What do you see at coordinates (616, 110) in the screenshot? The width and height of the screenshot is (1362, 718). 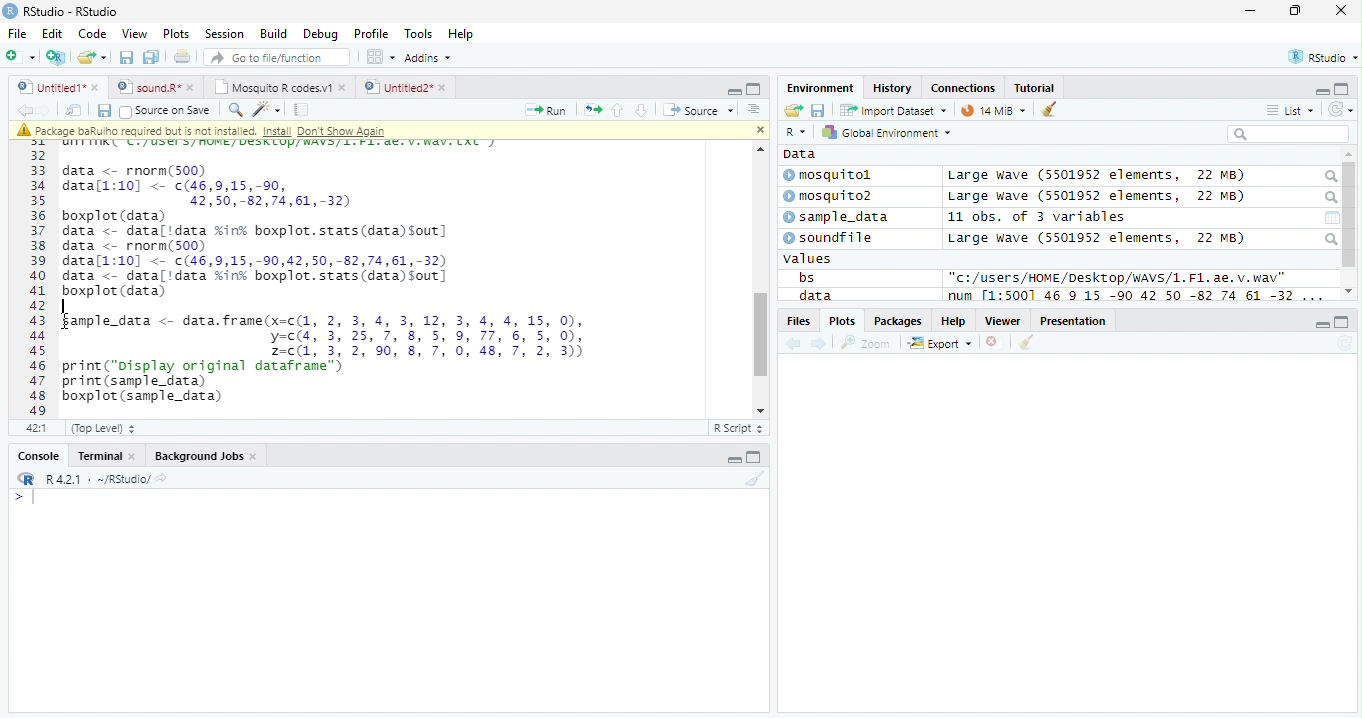 I see `Go to previous section` at bounding box center [616, 110].